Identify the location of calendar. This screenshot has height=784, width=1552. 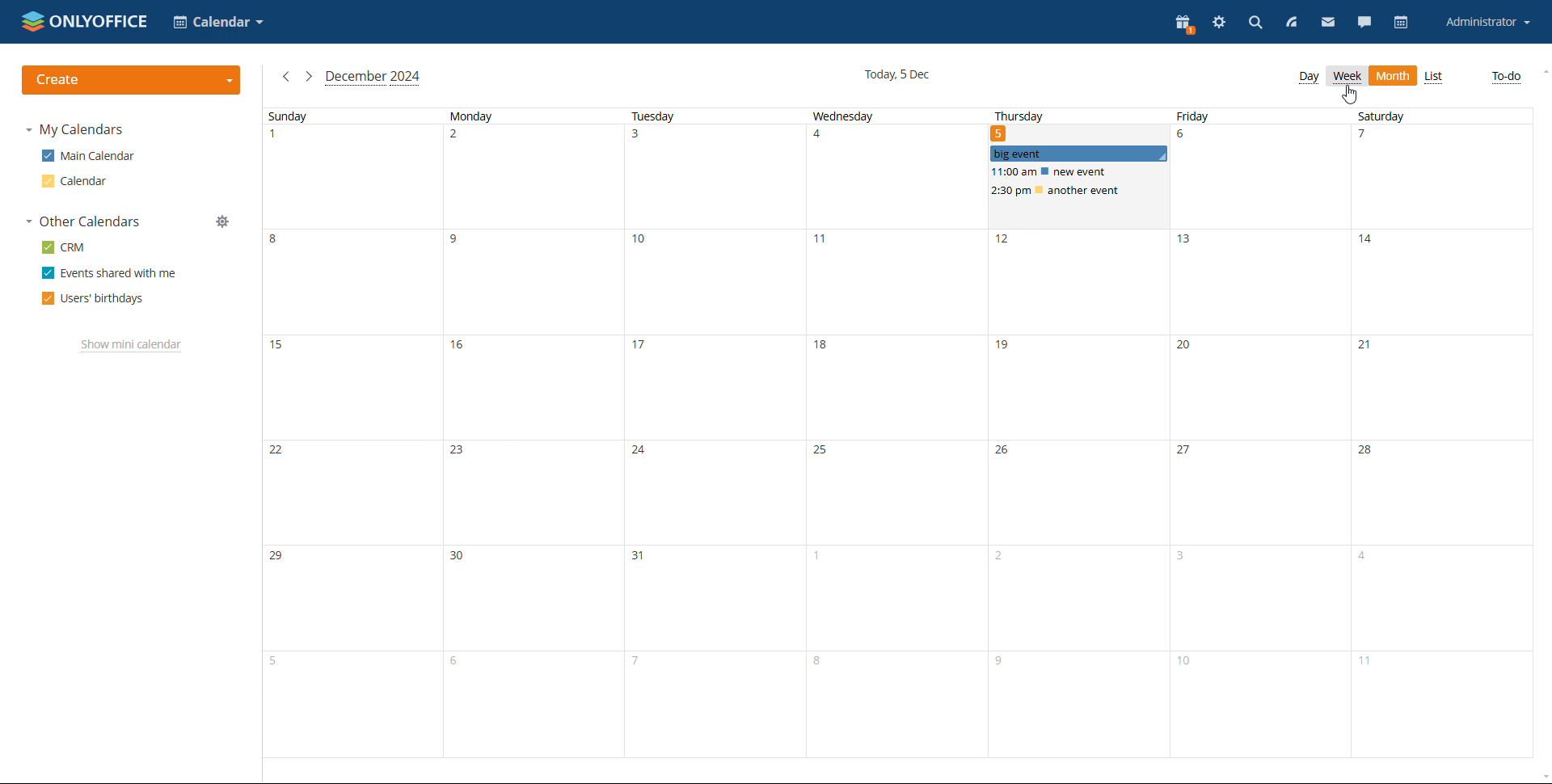
(1403, 23).